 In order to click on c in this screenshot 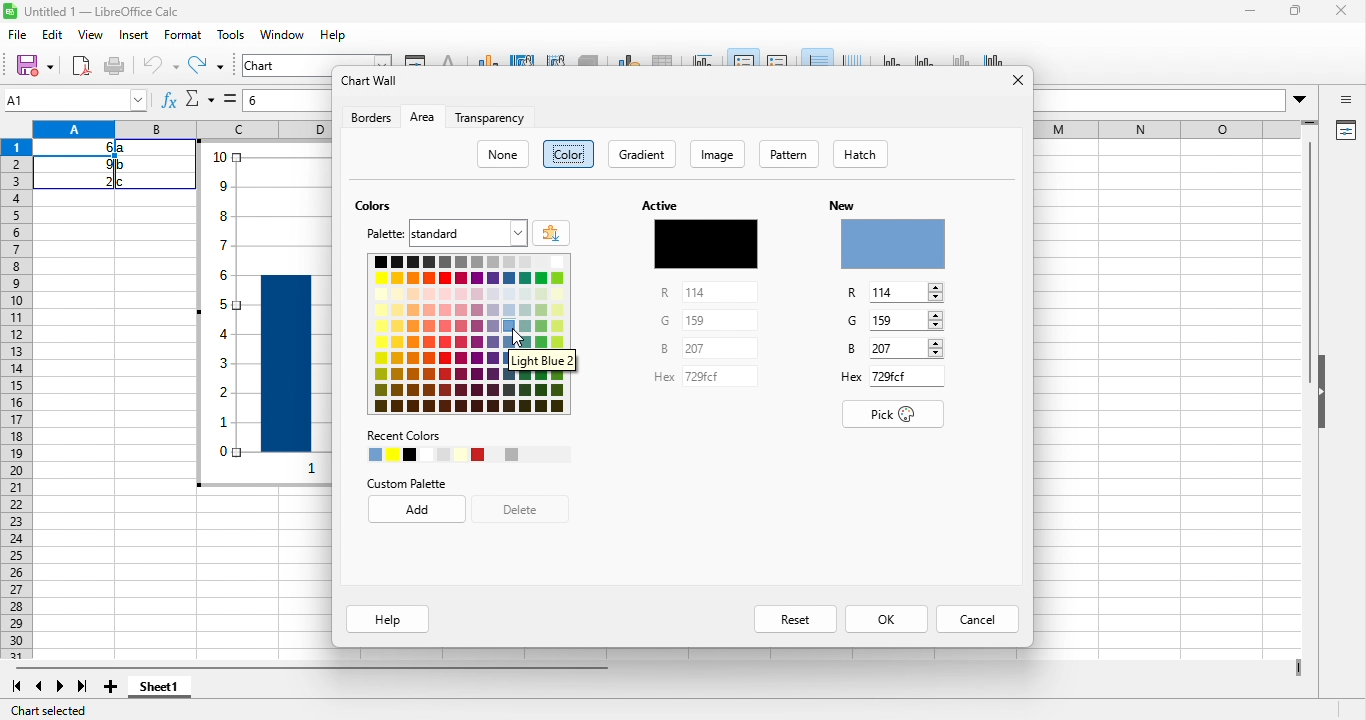, I will do `click(124, 182)`.